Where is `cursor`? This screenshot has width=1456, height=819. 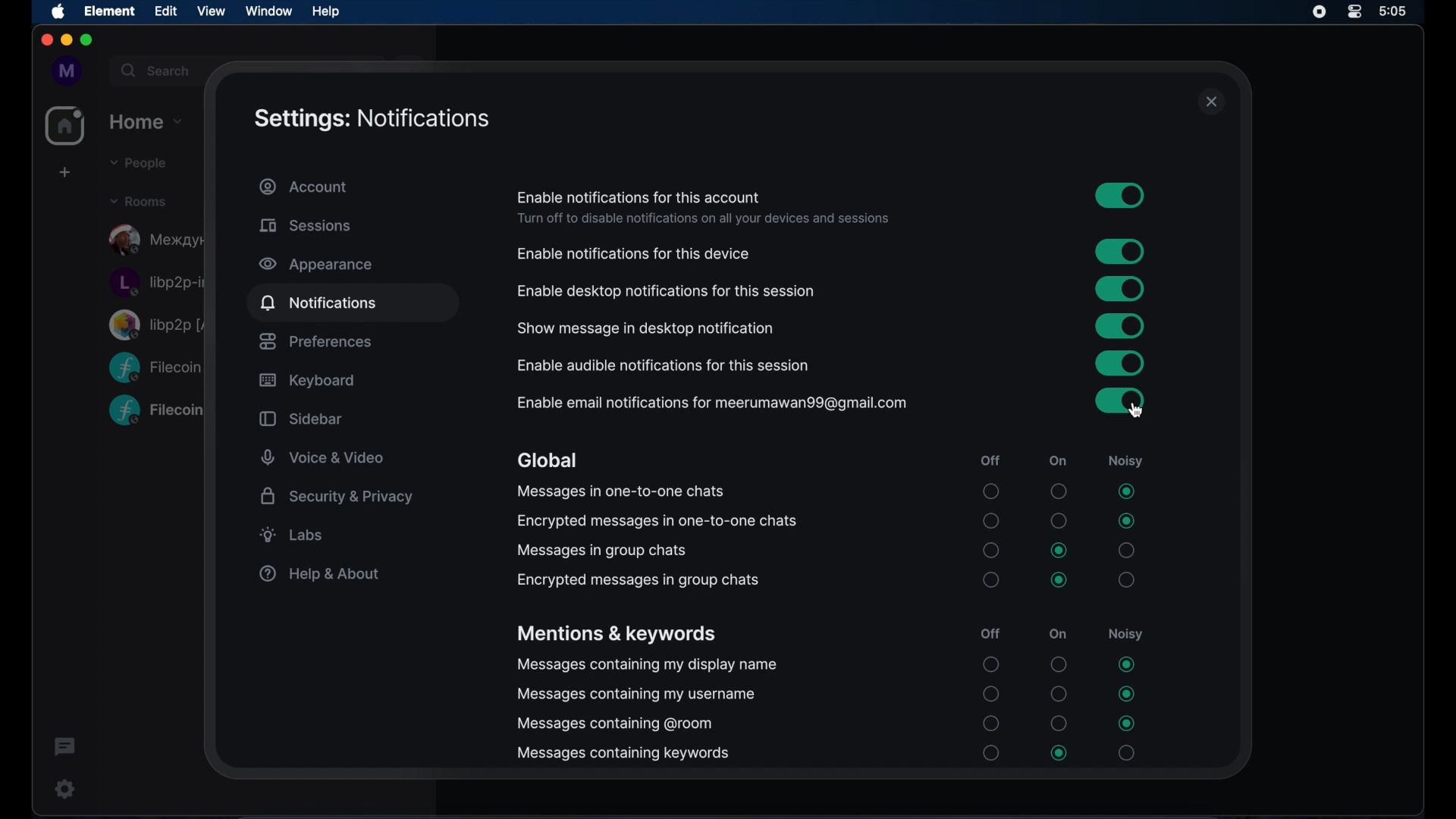 cursor is located at coordinates (1134, 409).